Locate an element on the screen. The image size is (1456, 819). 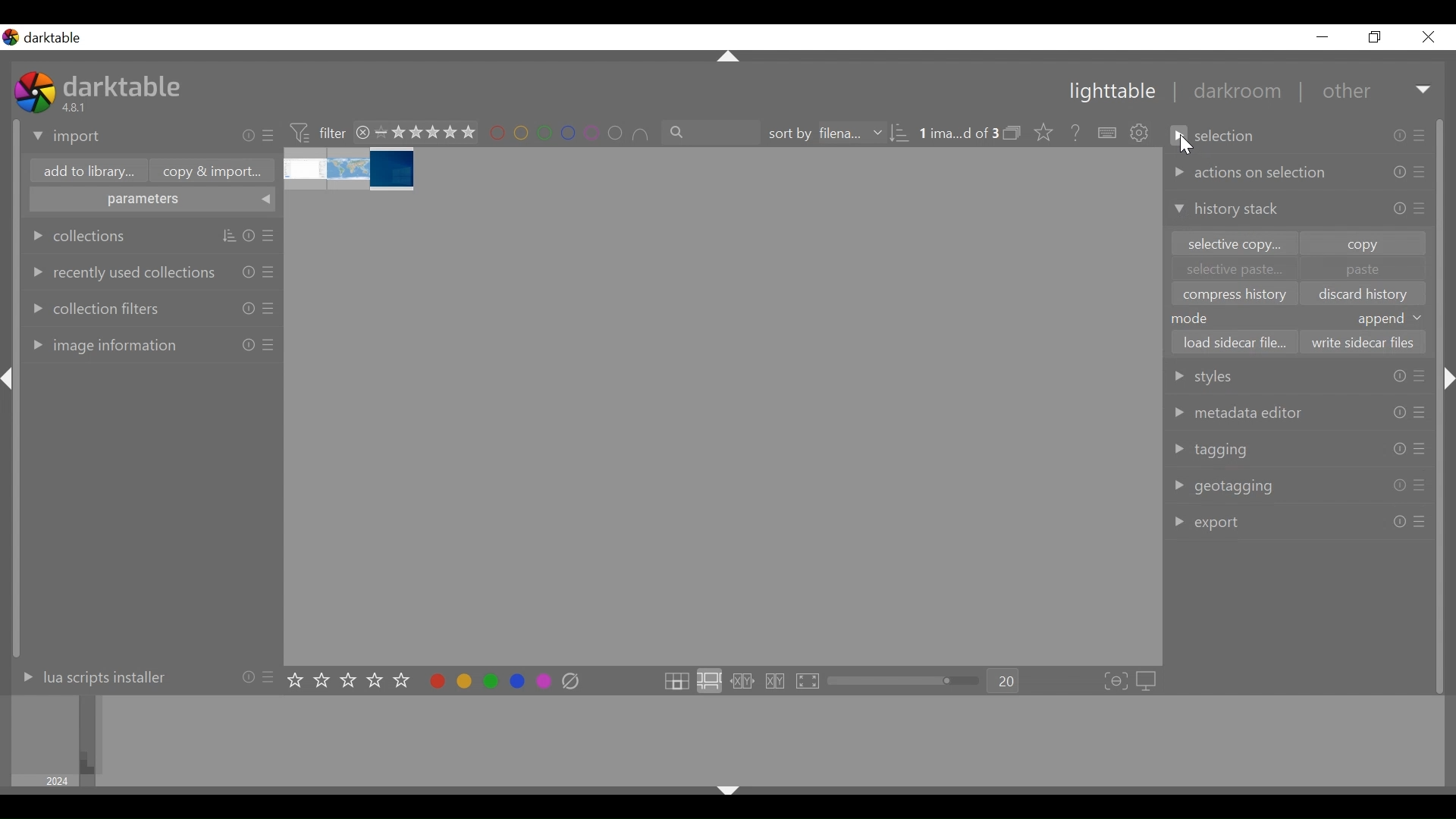
lua scripts installer is located at coordinates (90, 676).